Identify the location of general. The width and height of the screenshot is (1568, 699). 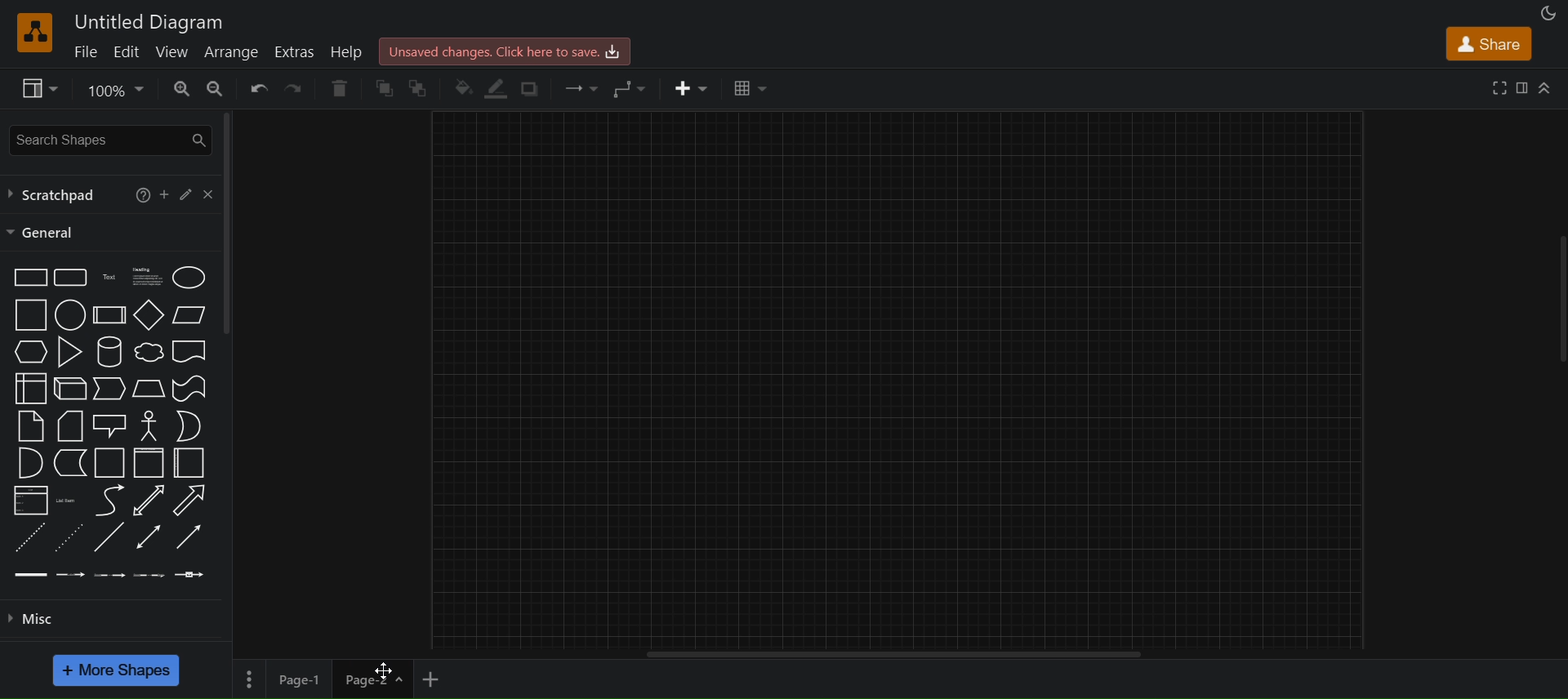
(42, 232).